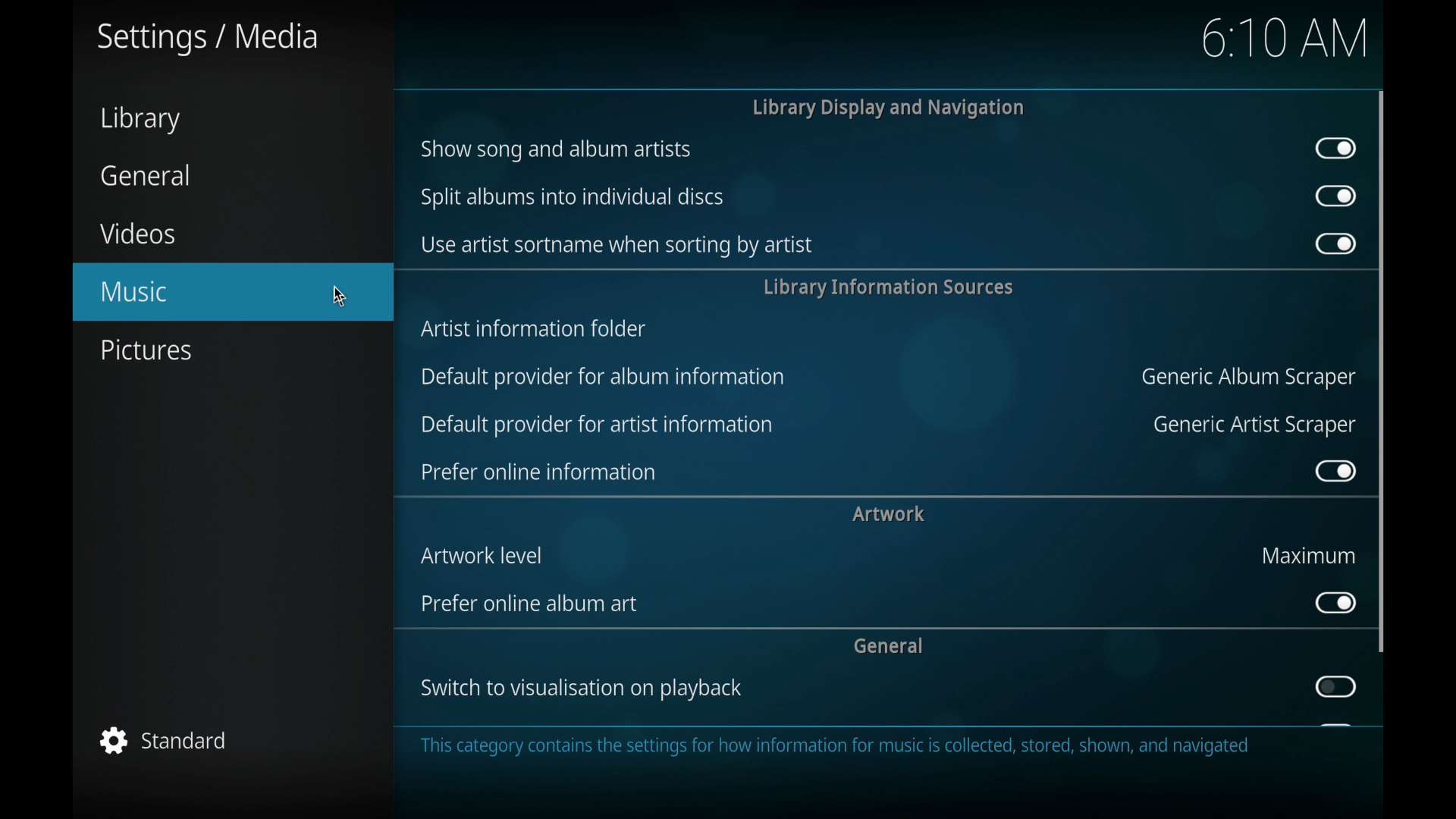 The image size is (1456, 819). What do you see at coordinates (583, 689) in the screenshot?
I see `switch to visualization on playback` at bounding box center [583, 689].